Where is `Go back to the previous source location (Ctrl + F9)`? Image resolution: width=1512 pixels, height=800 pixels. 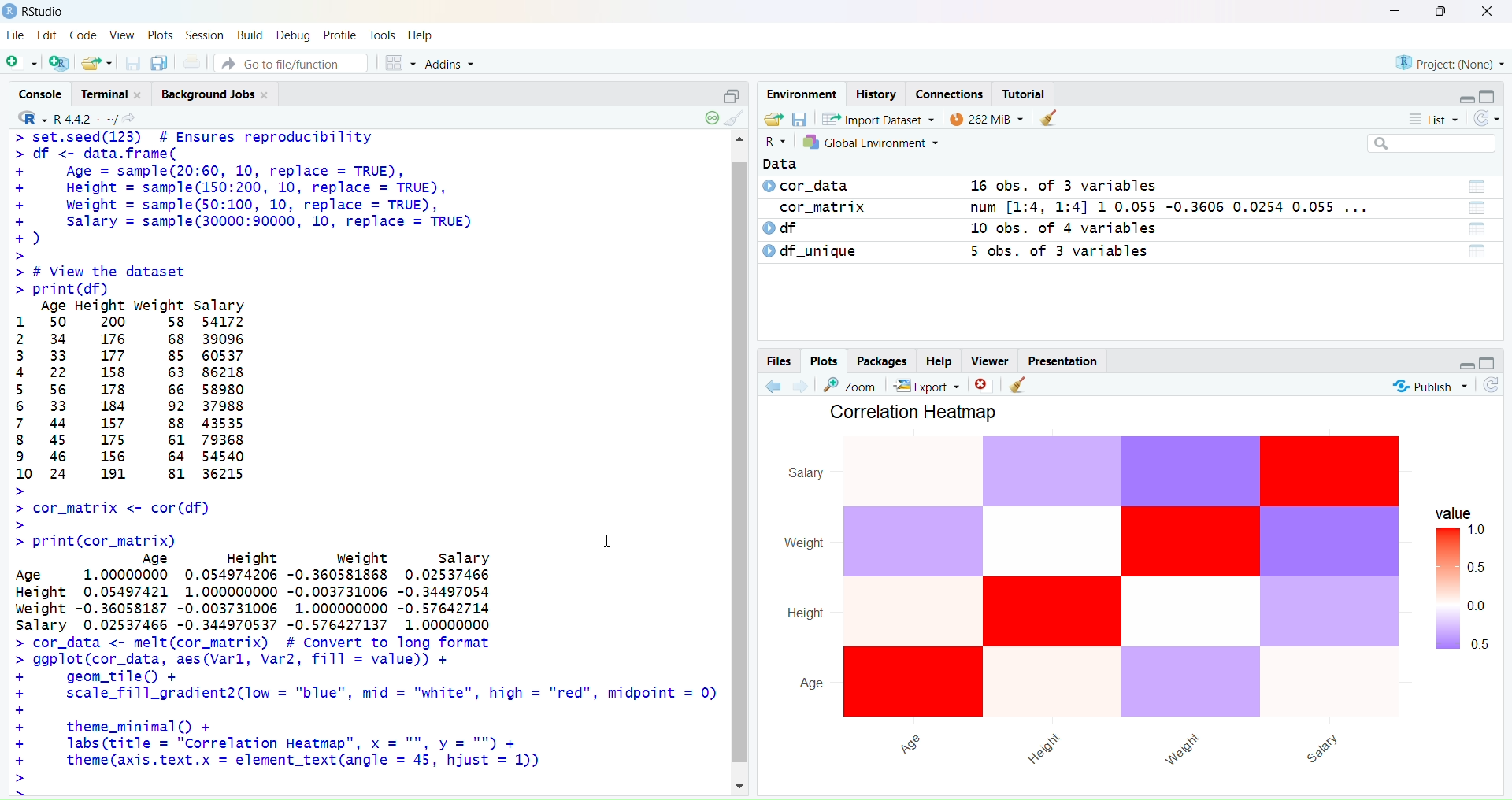
Go back to the previous source location (Ctrl + F9) is located at coordinates (775, 385).